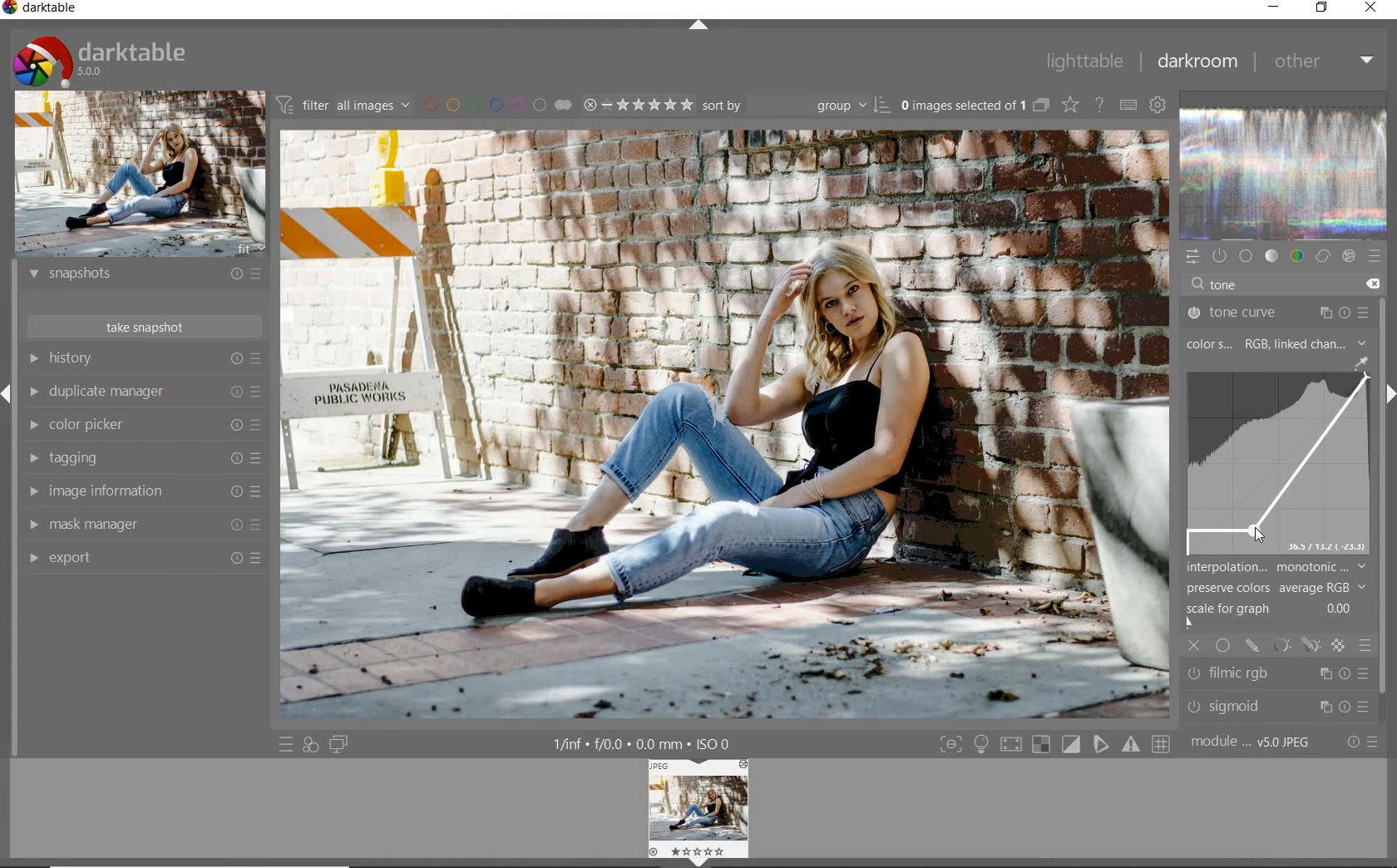 The height and width of the screenshot is (868, 1397). Describe the element at coordinates (1373, 283) in the screenshot. I see `delete` at that location.